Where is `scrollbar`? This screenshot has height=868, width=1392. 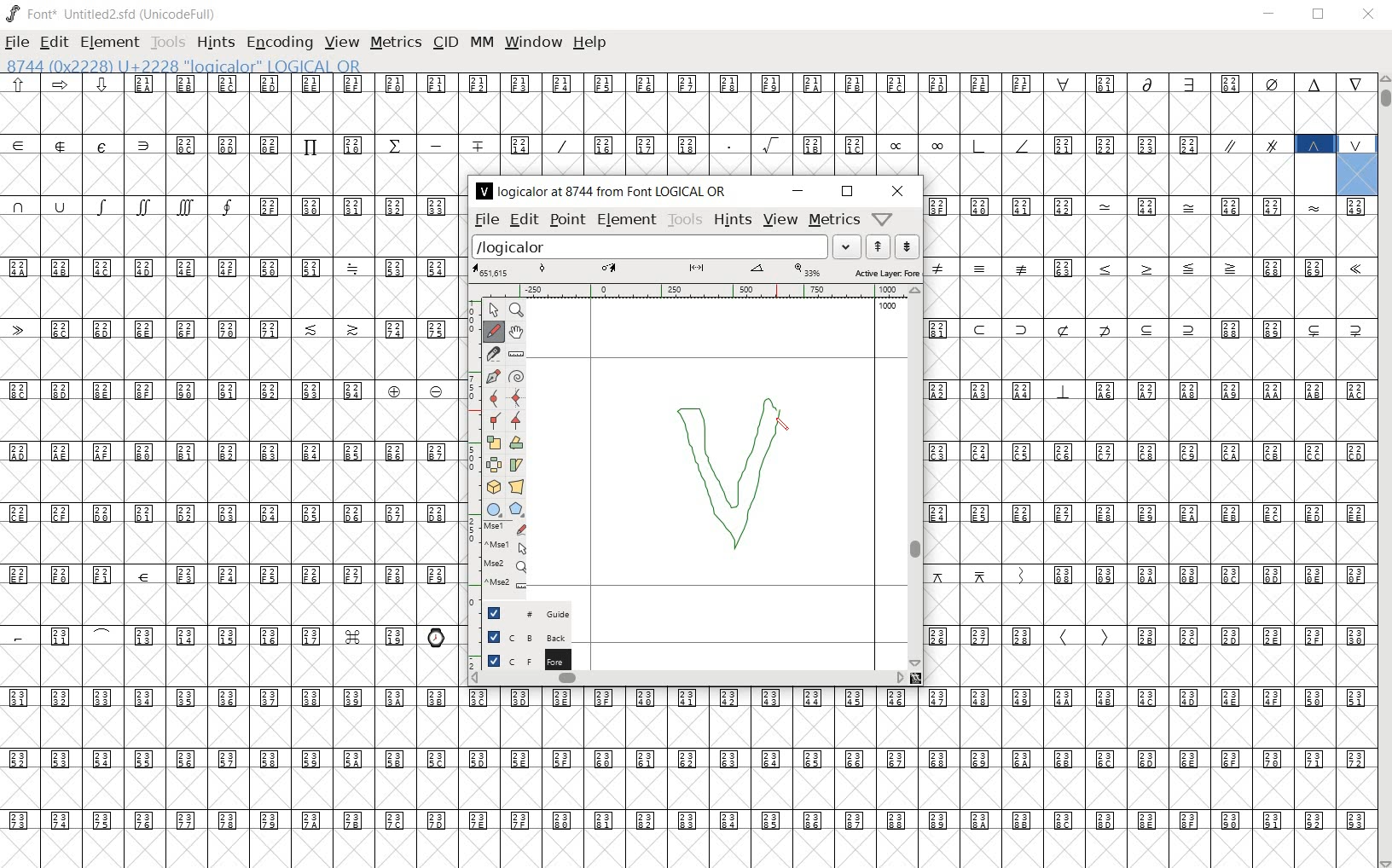
scrollbar is located at coordinates (917, 477).